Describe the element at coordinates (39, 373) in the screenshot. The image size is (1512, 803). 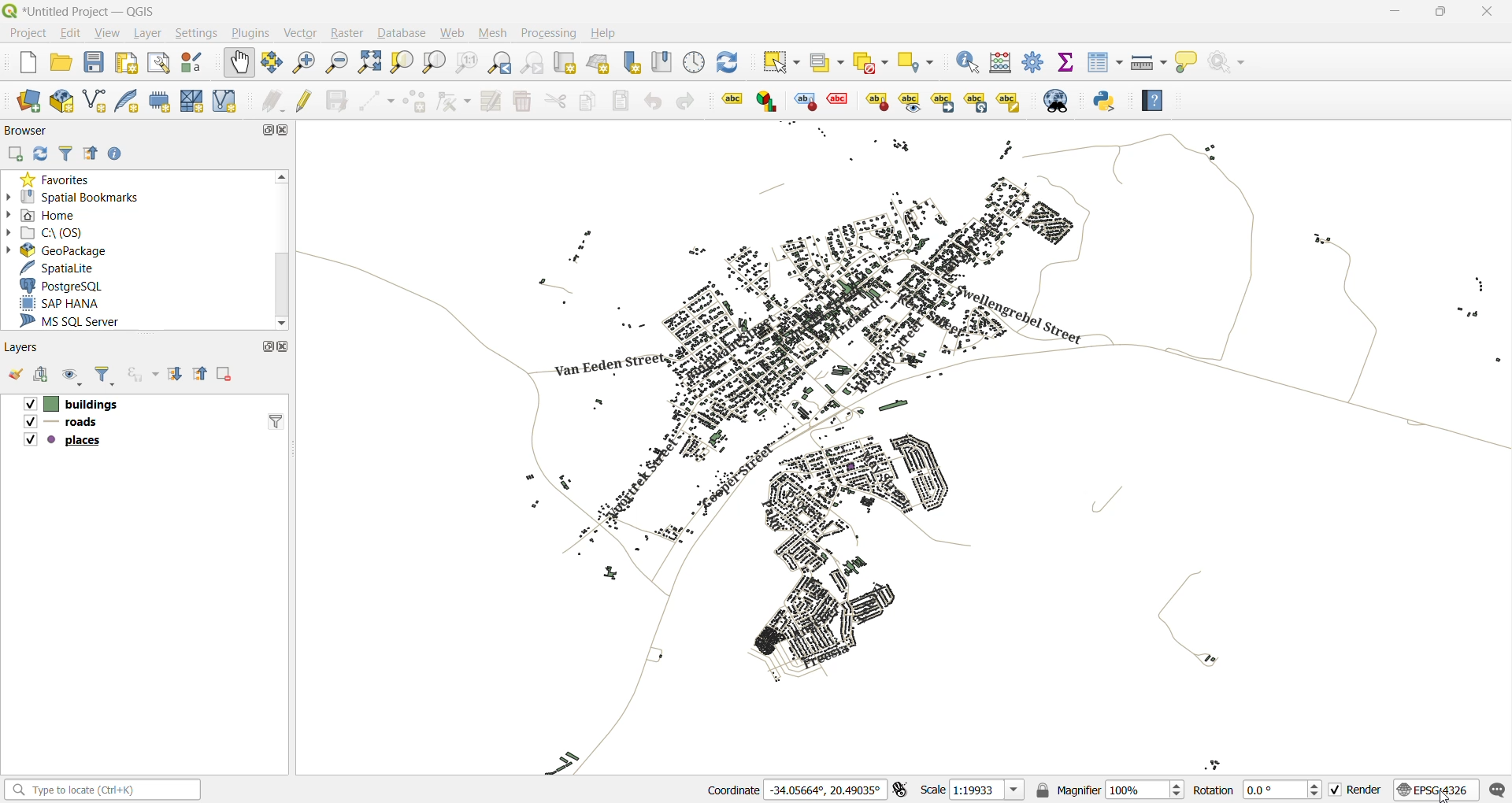
I see `add` at that location.